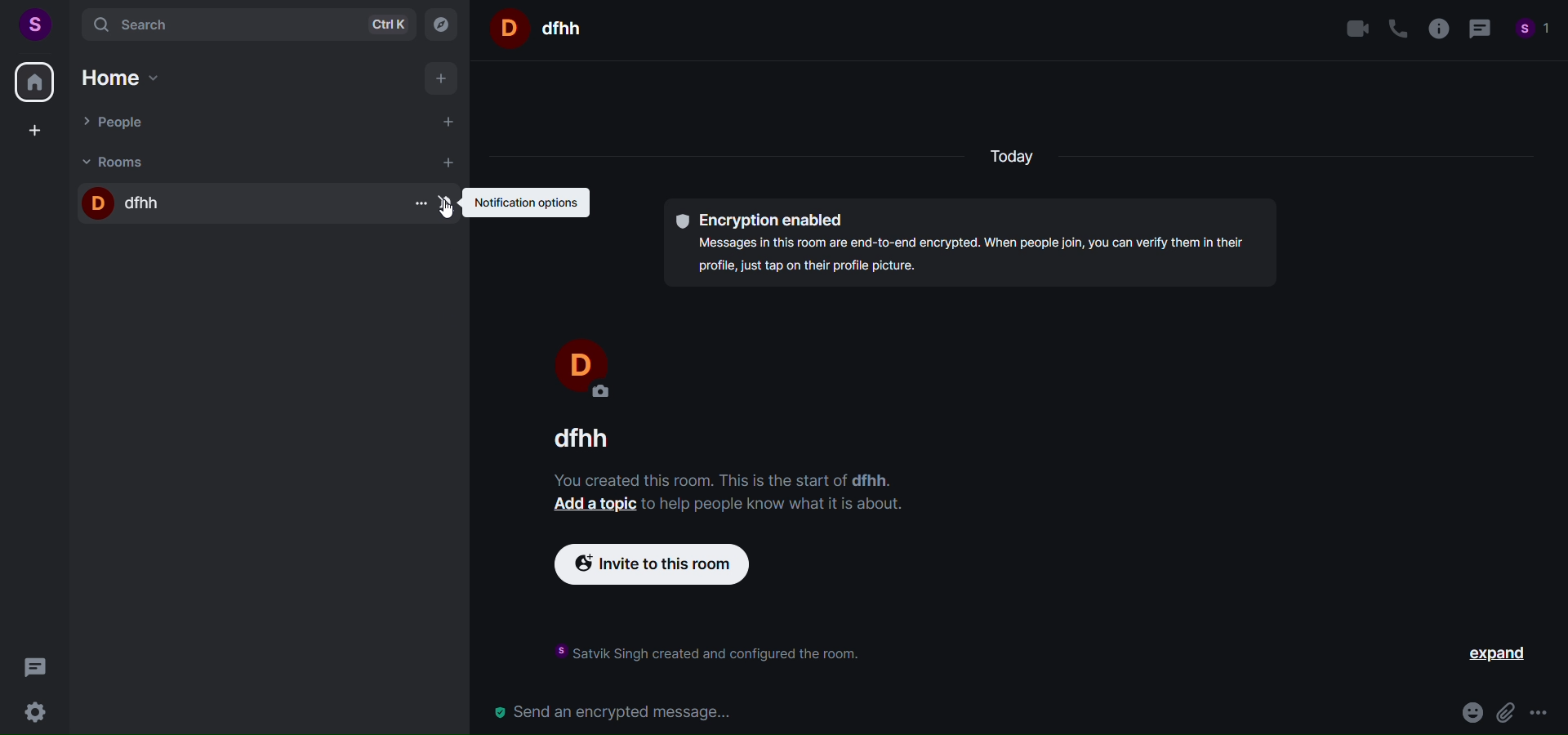 The height and width of the screenshot is (735, 1568). I want to click on dfhh, so click(563, 28).